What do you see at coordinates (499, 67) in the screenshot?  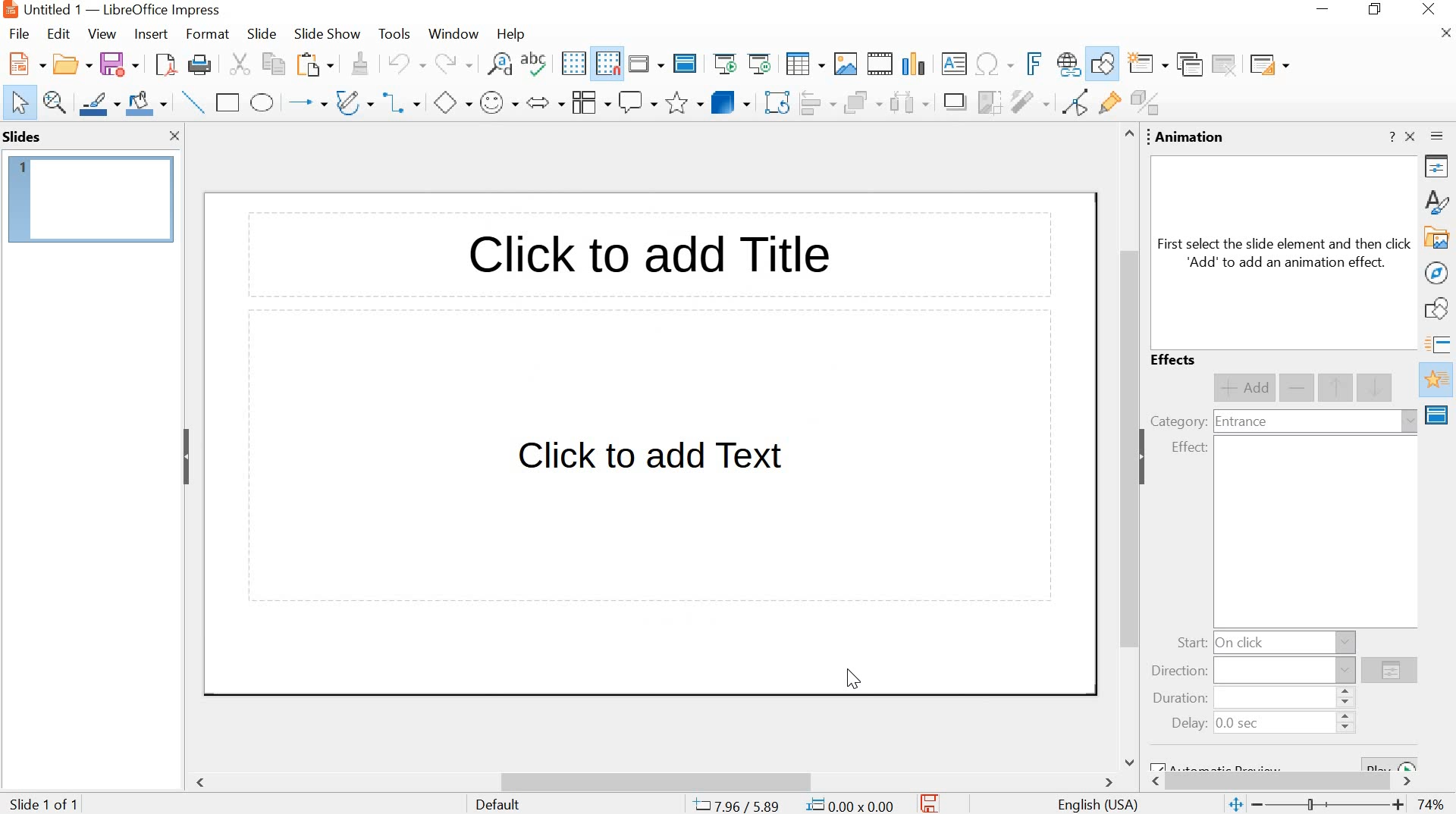 I see `find` at bounding box center [499, 67].